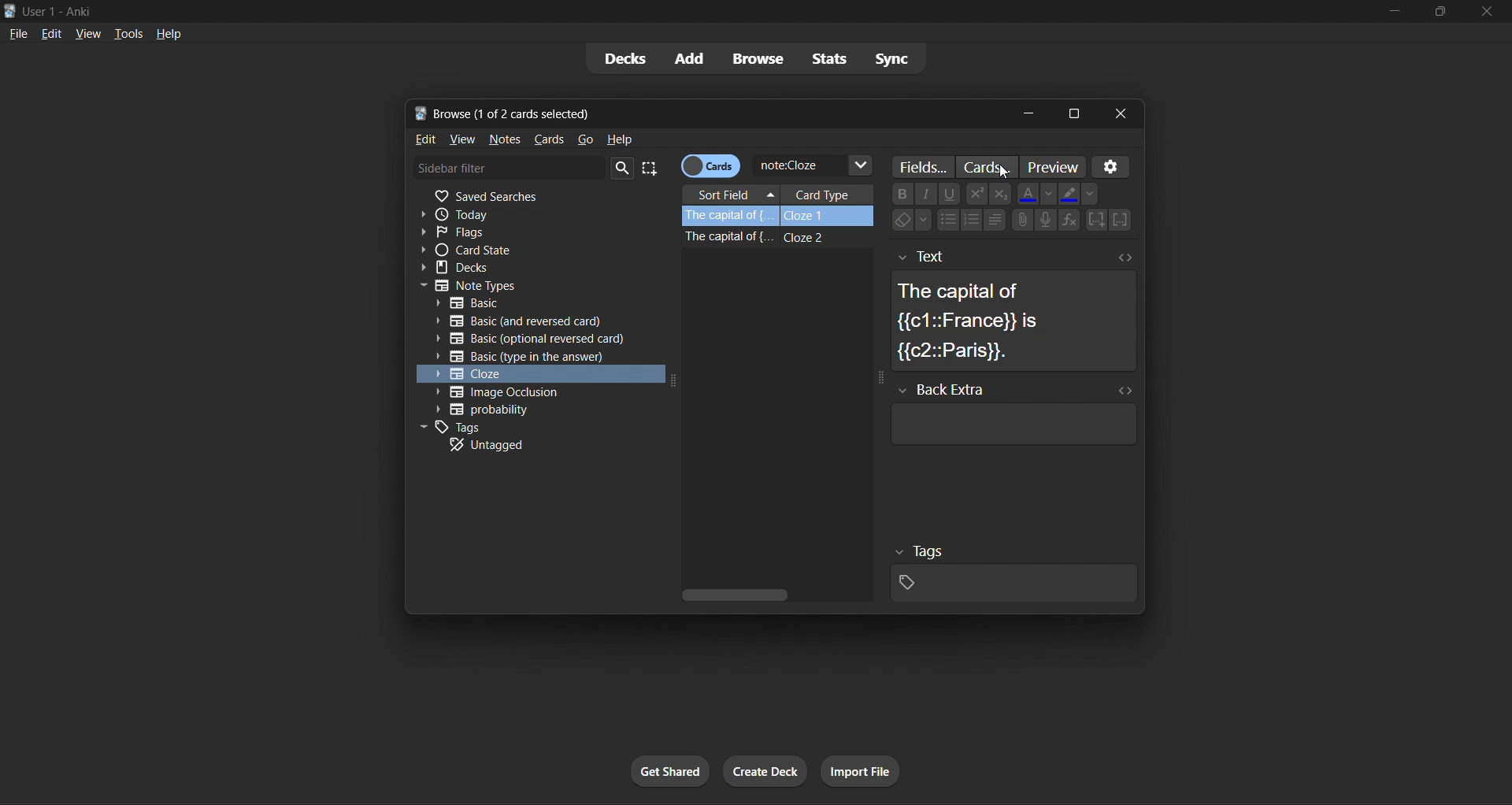 Image resolution: width=1512 pixels, height=805 pixels. What do you see at coordinates (774, 594) in the screenshot?
I see `horizontal scroll bar` at bounding box center [774, 594].